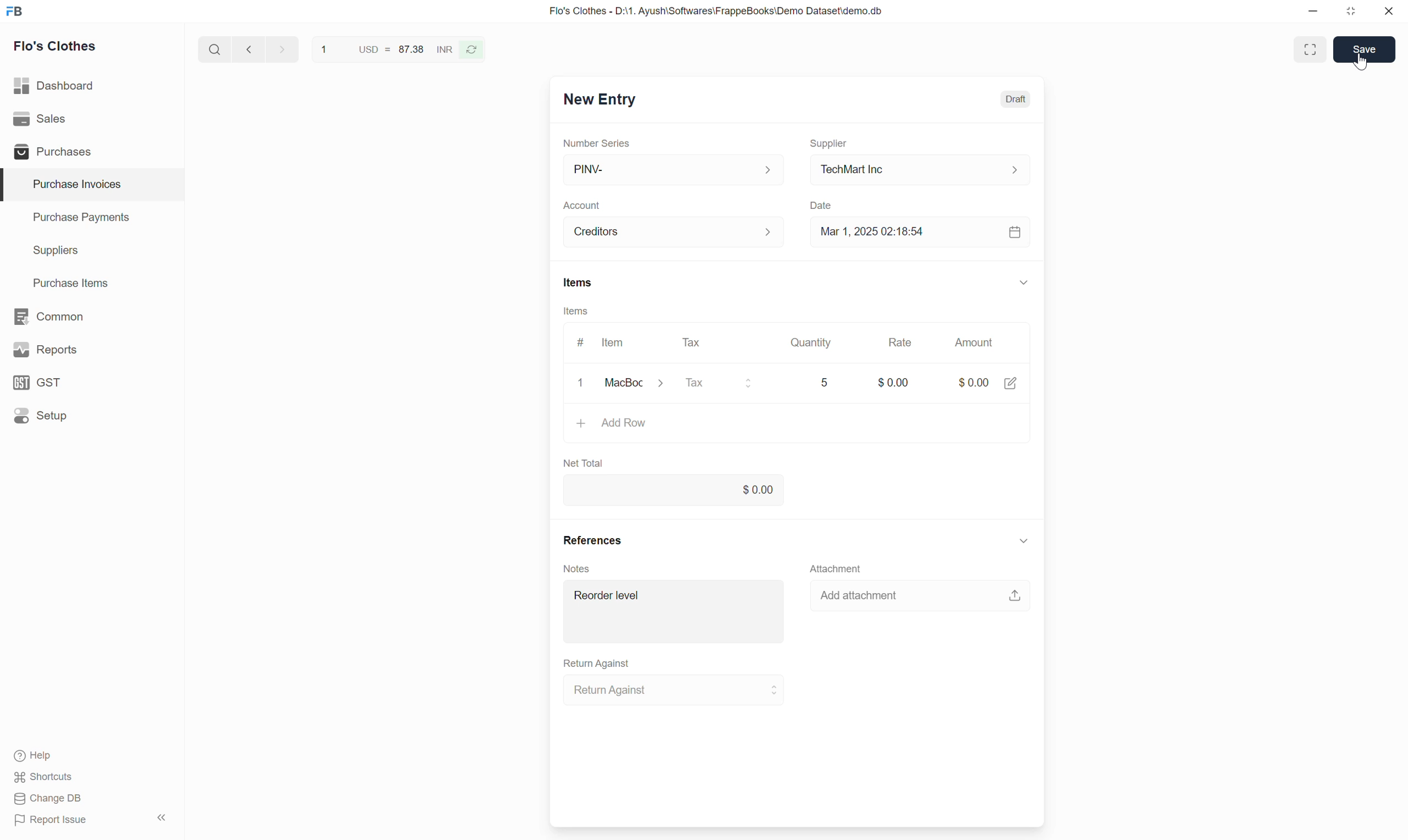  Describe the element at coordinates (577, 569) in the screenshot. I see `Notes` at that location.